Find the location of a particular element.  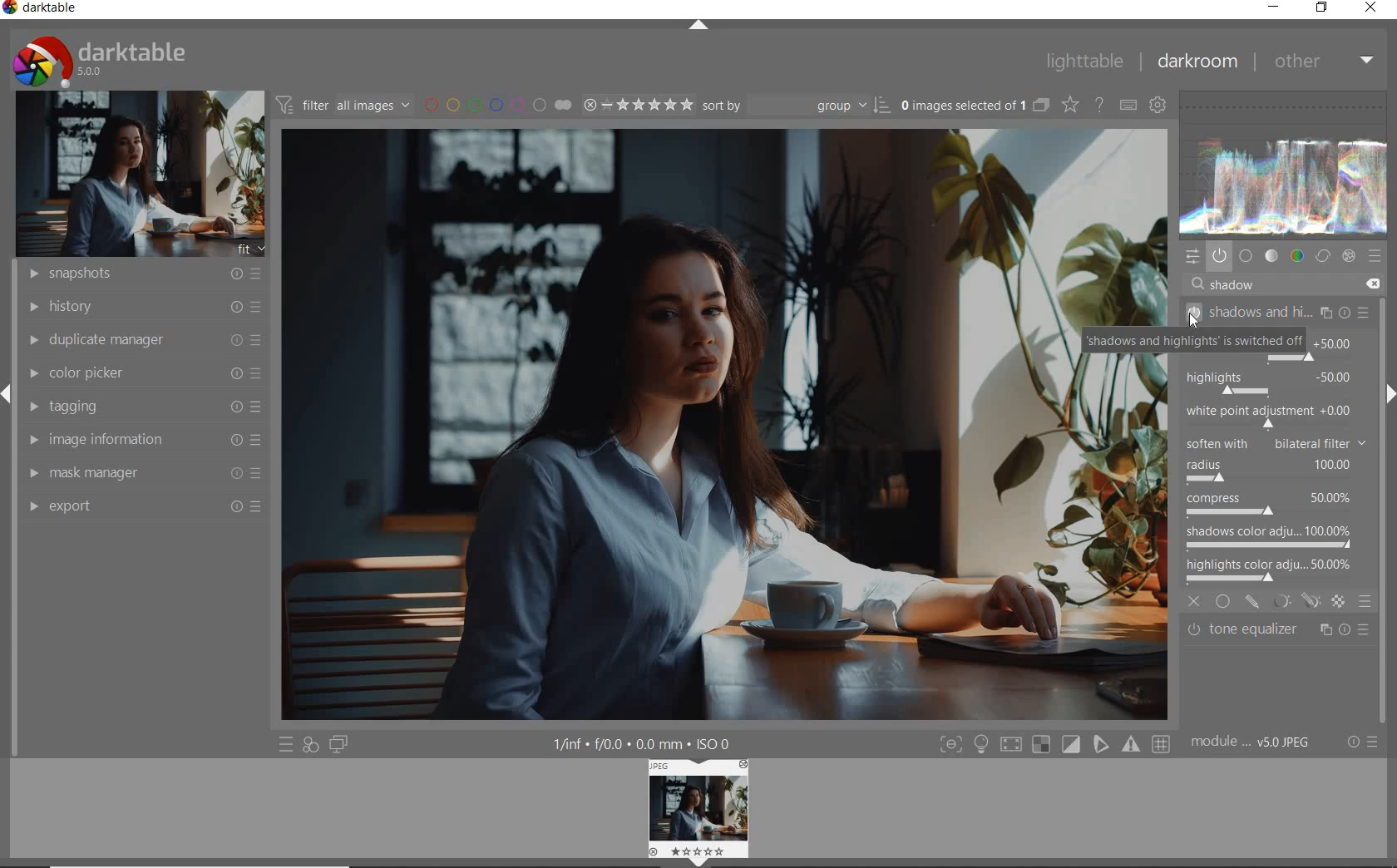

compress is located at coordinates (1271, 506).